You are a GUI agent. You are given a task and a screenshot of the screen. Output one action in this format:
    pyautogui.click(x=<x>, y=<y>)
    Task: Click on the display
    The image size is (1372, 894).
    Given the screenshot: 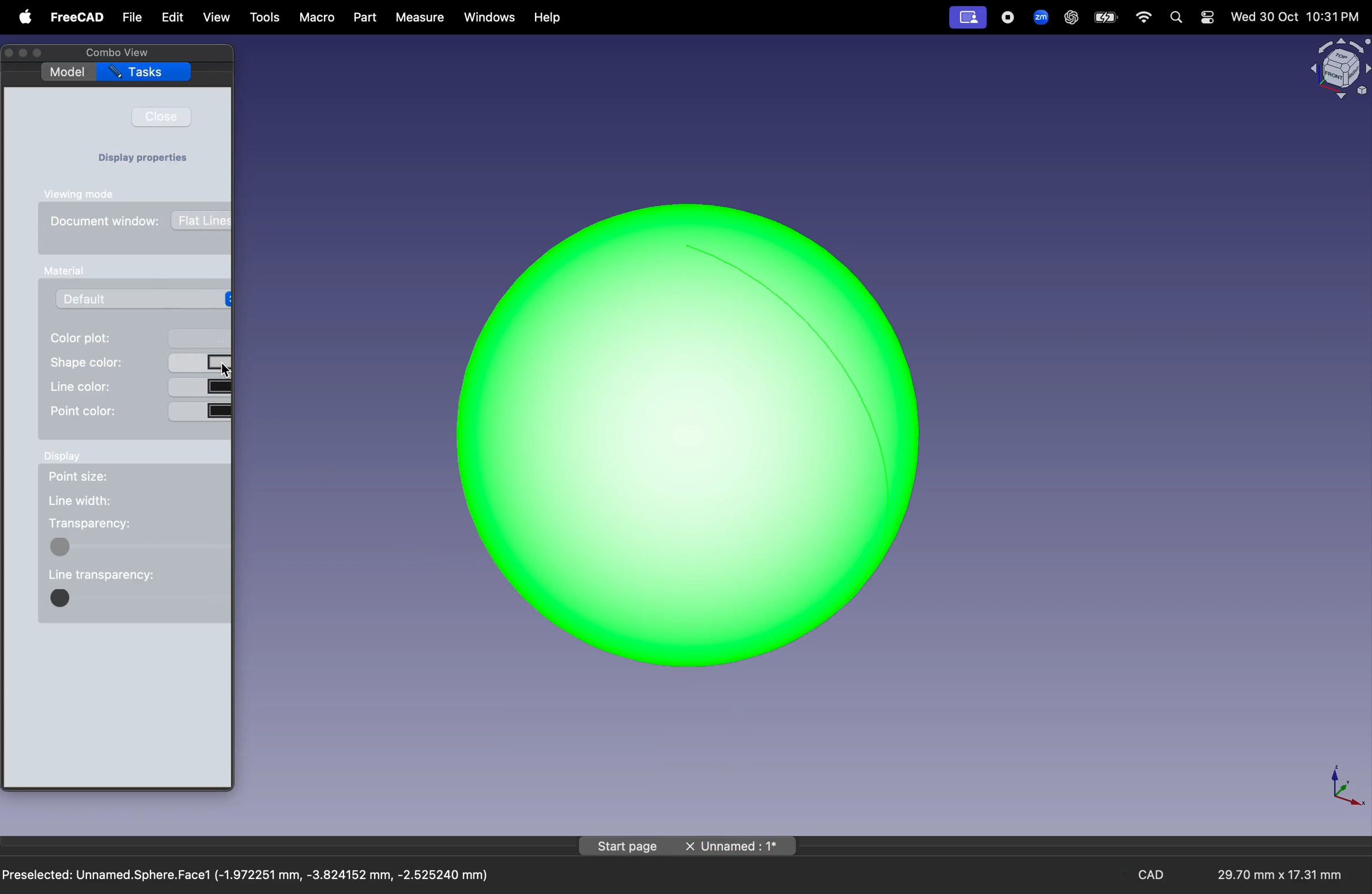 What is the action you would take?
    pyautogui.click(x=70, y=455)
    